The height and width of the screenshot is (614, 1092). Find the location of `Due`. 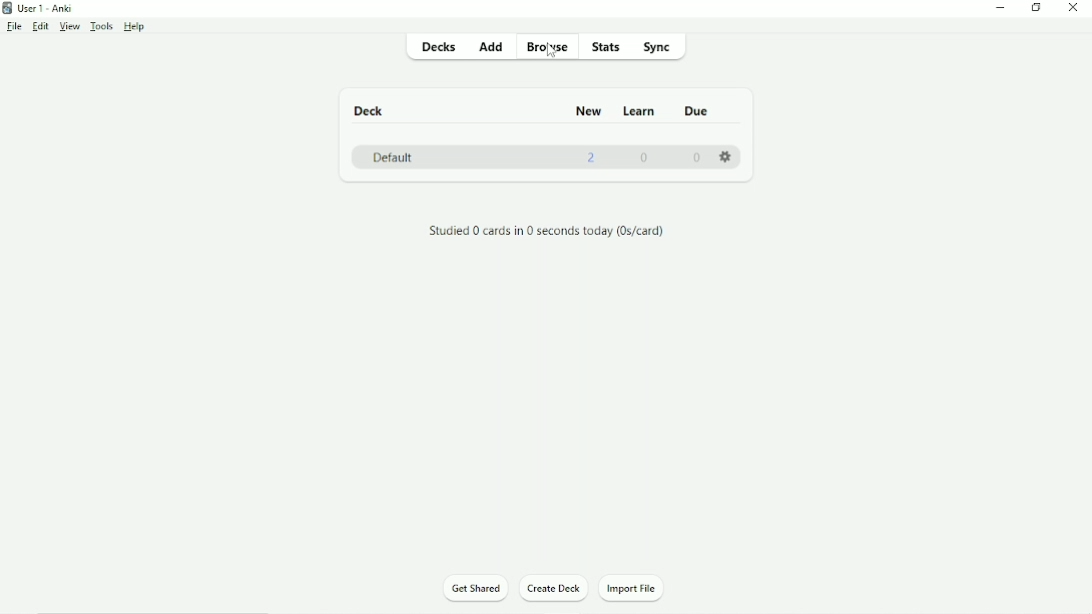

Due is located at coordinates (695, 109).